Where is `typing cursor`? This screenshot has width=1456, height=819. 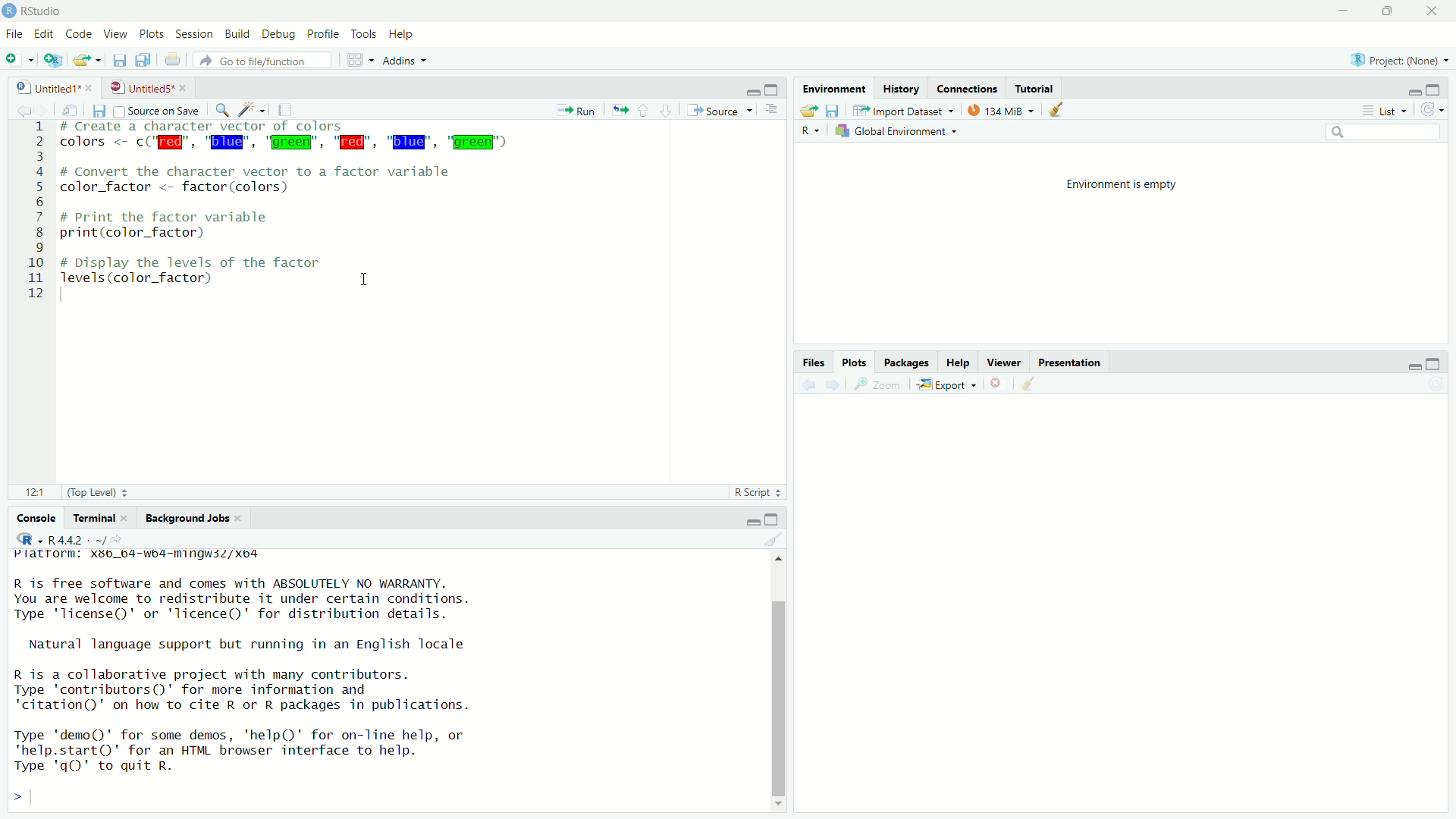 typing cursor is located at coordinates (38, 799).